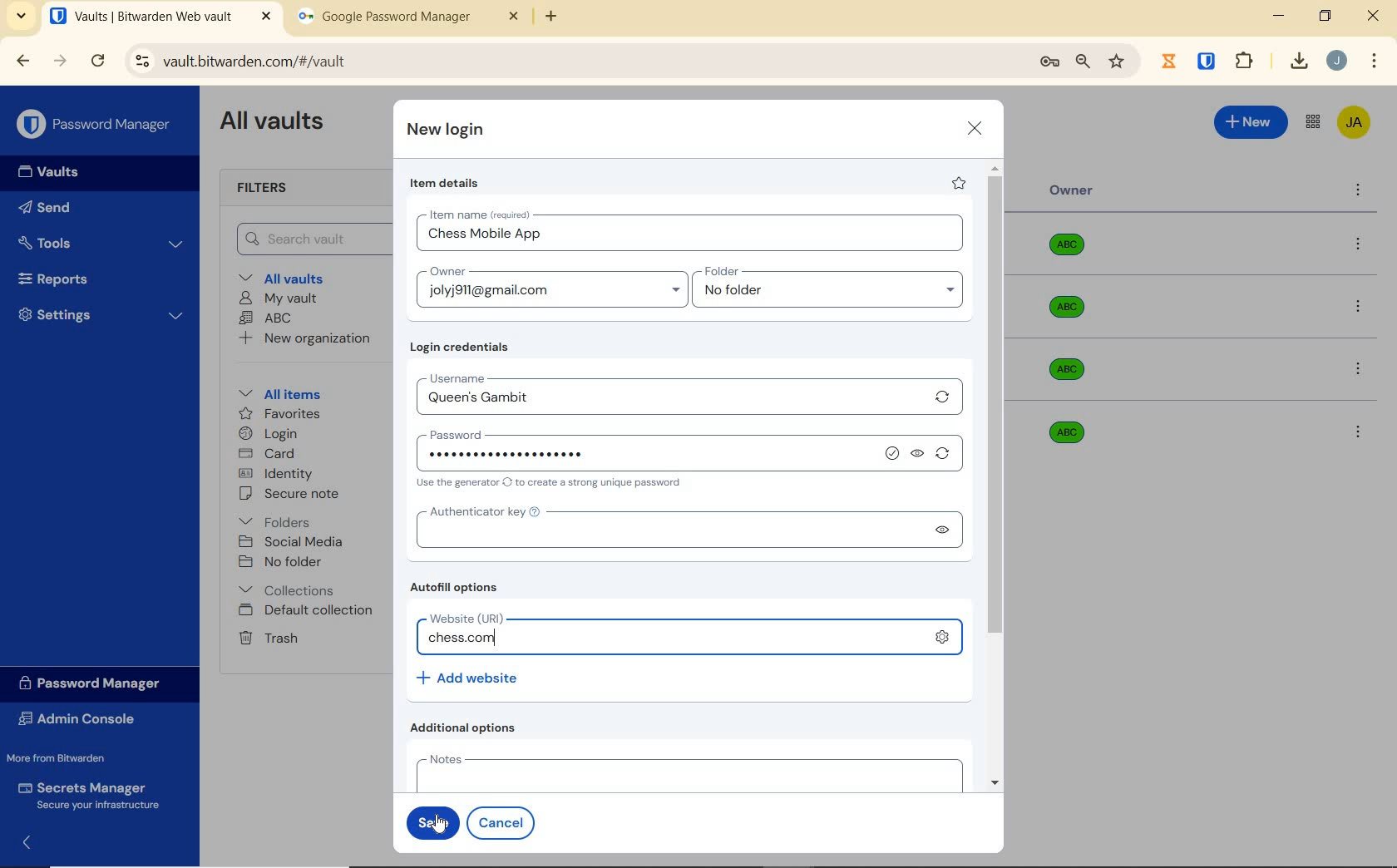 The width and height of the screenshot is (1397, 868). I want to click on bookmark, so click(1118, 61).